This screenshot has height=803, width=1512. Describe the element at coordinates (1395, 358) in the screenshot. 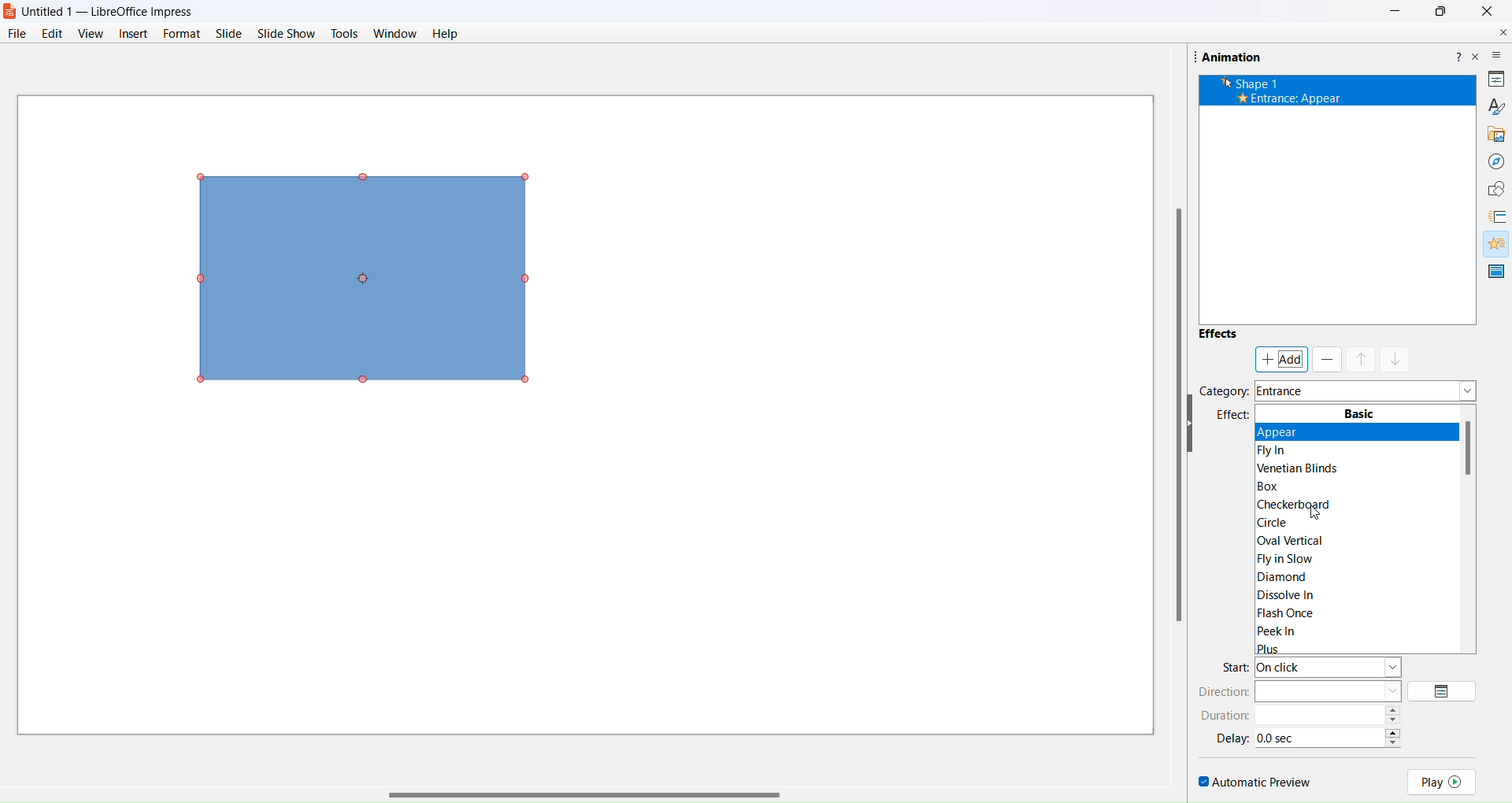

I see `mask down` at that location.